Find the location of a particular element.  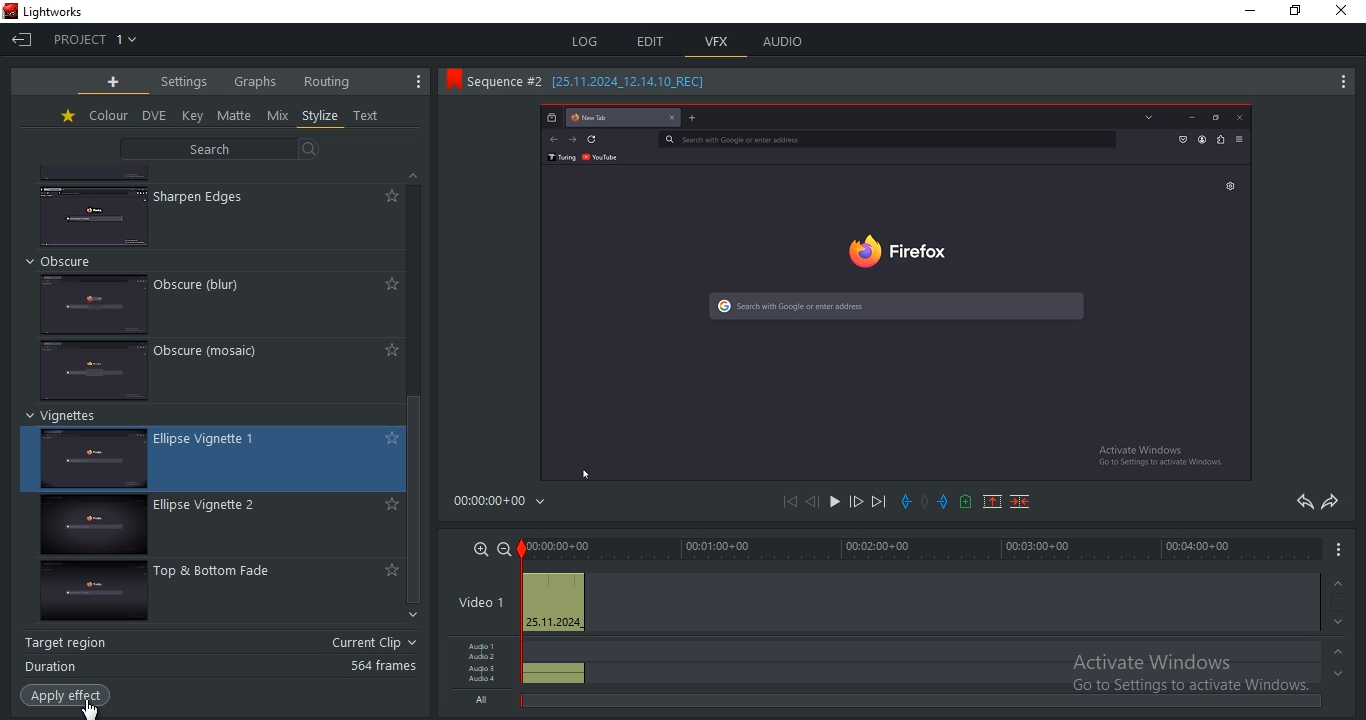

key is located at coordinates (193, 115).